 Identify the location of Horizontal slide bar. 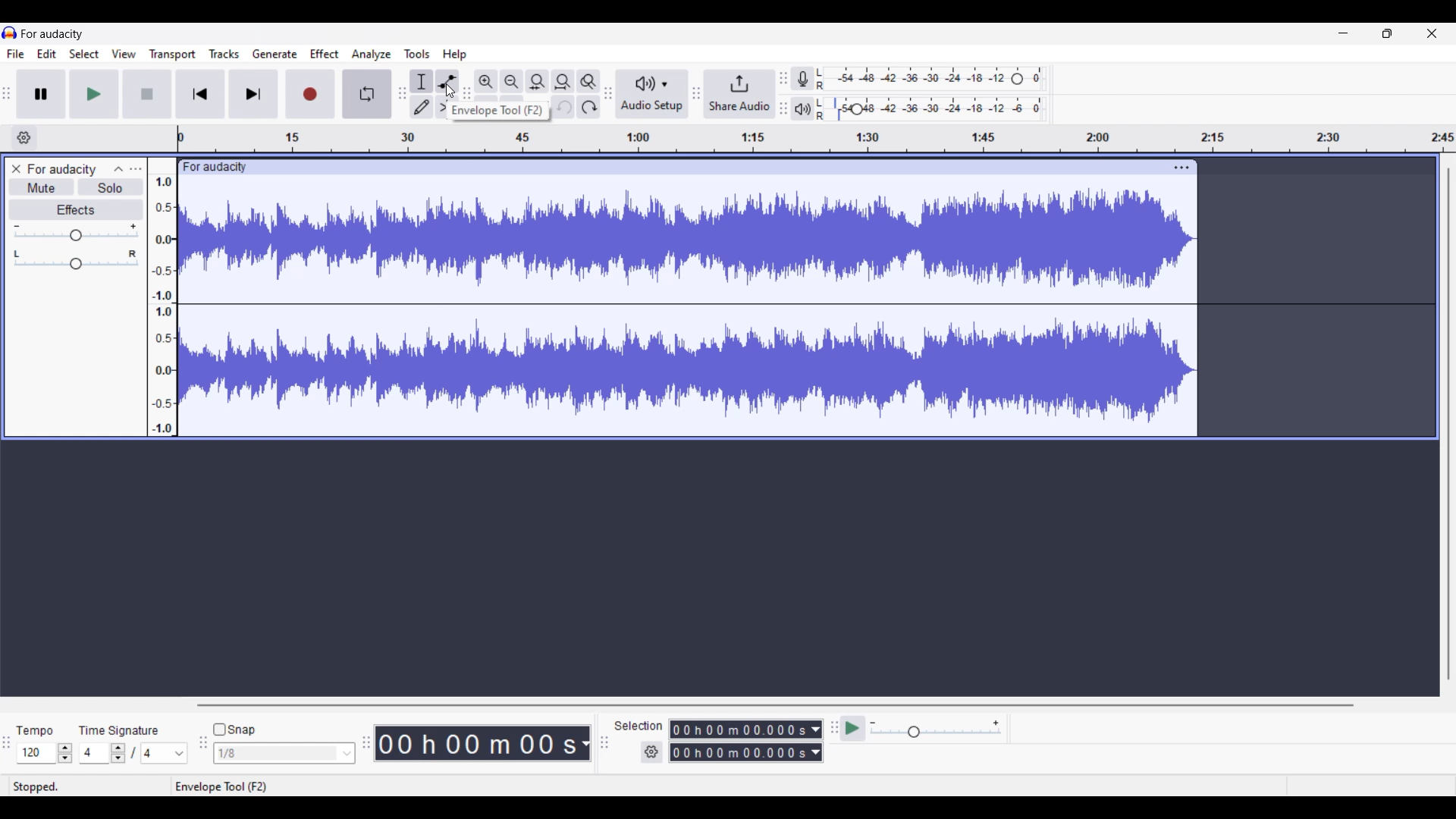
(774, 705).